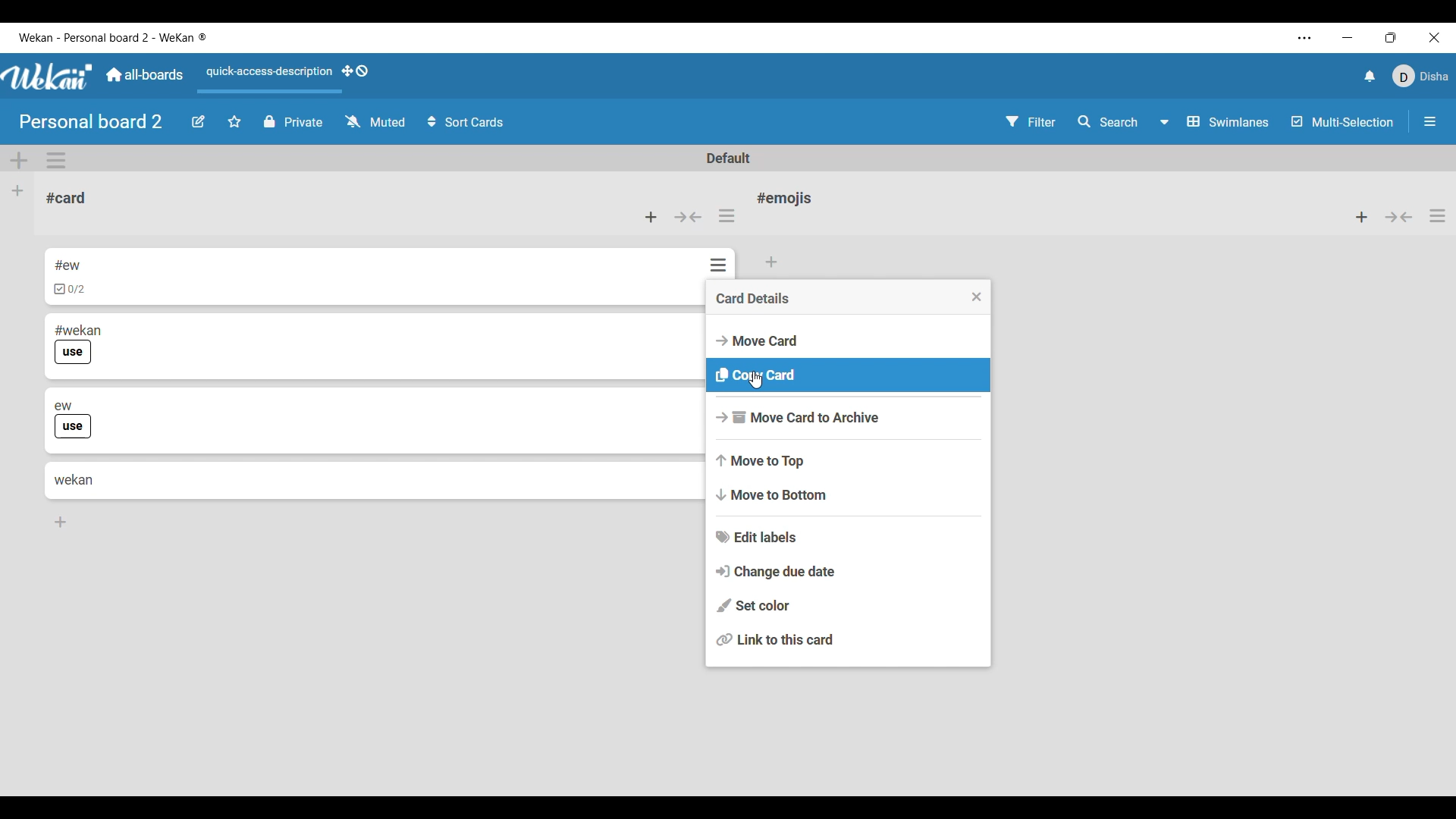 The width and height of the screenshot is (1456, 819). I want to click on Add card to top of list, so click(651, 218).